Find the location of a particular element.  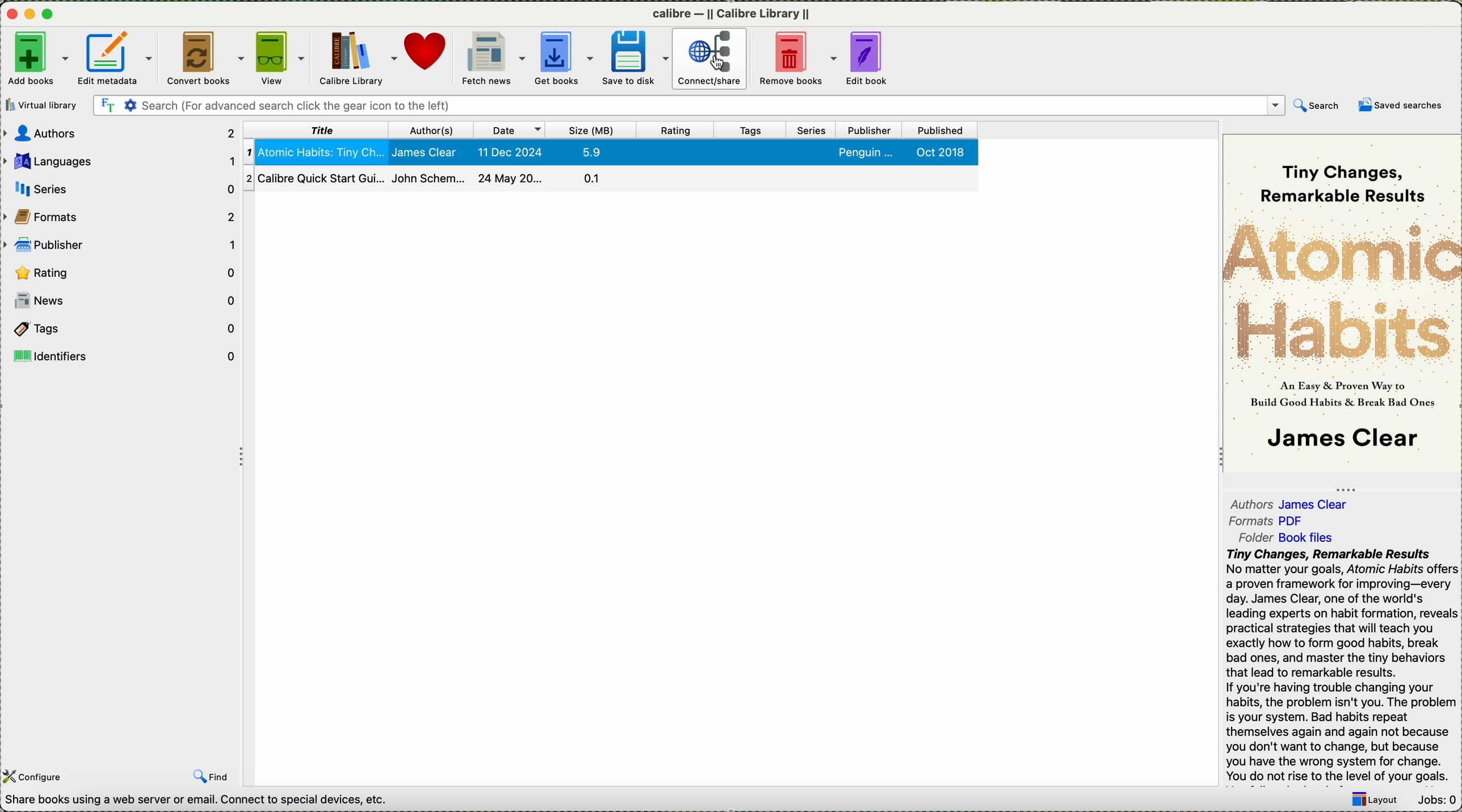

publisher is located at coordinates (121, 243).